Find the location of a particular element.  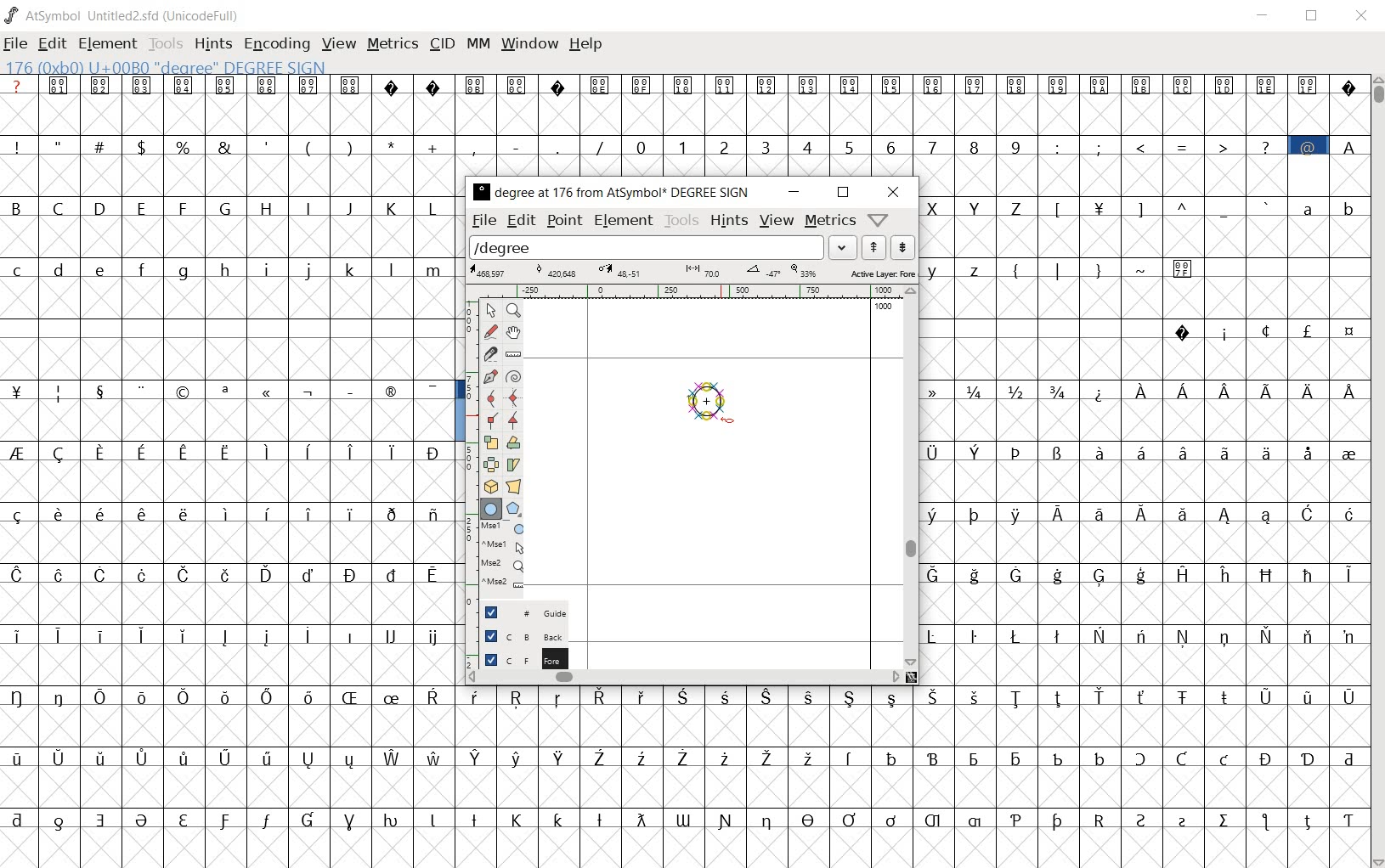

view is located at coordinates (337, 44).